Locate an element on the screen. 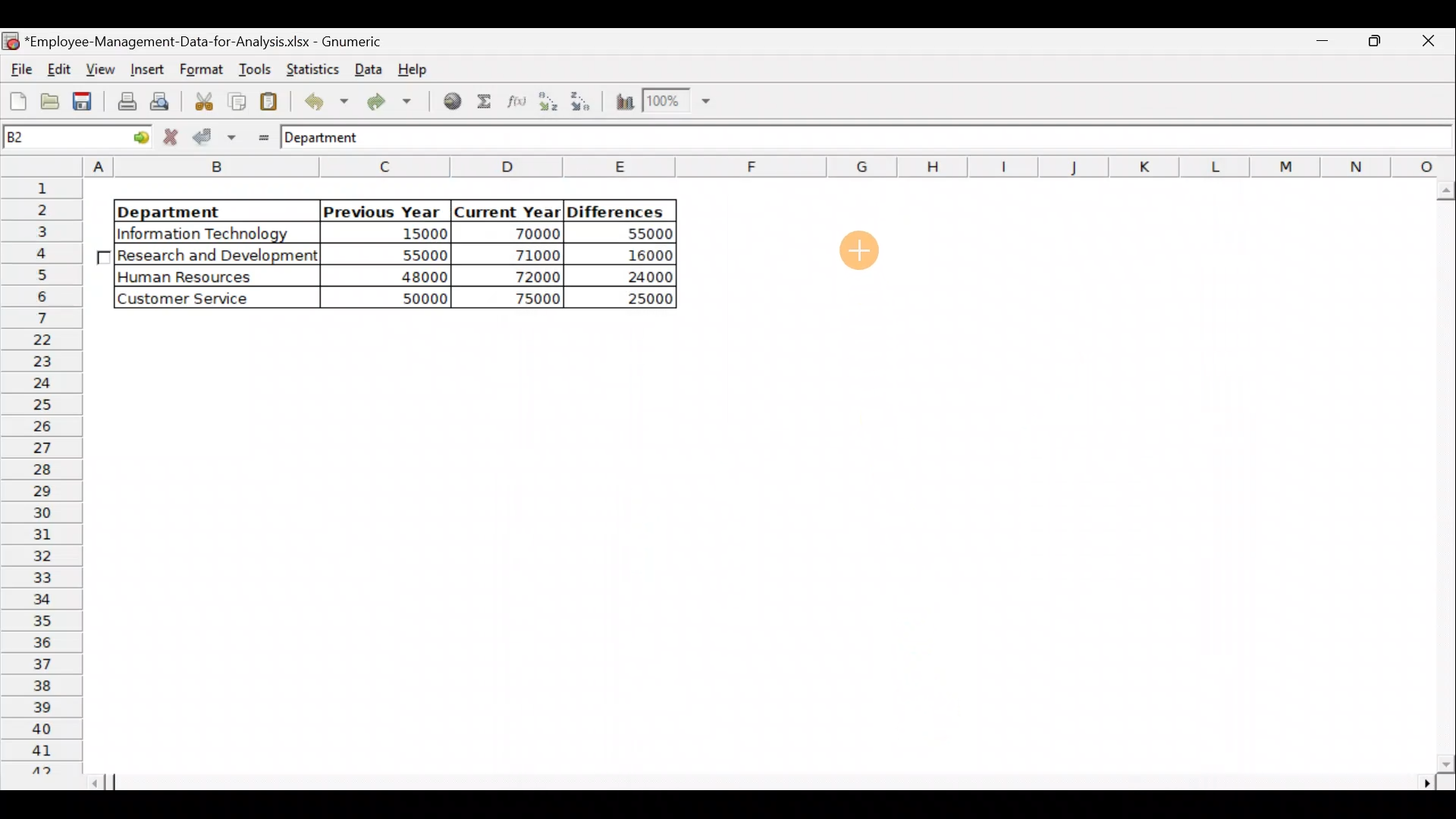  Statistics is located at coordinates (313, 68).